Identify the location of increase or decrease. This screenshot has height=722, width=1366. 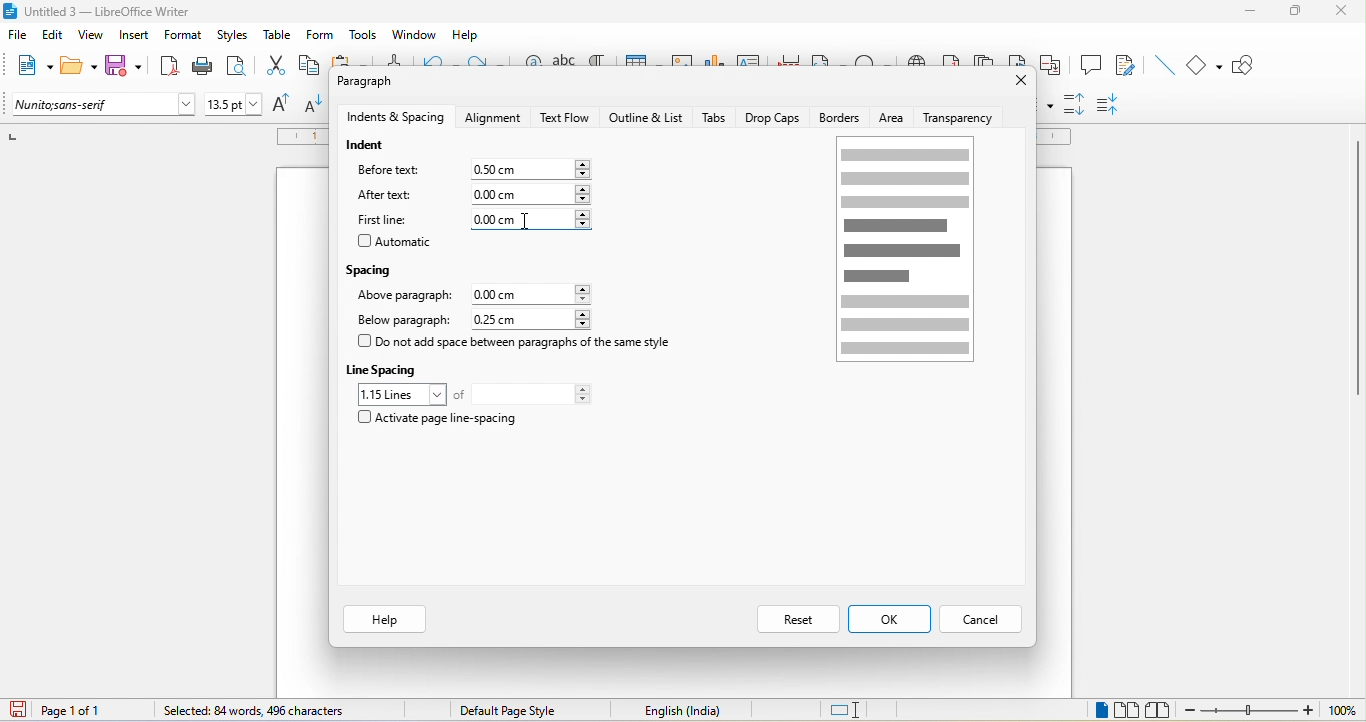
(581, 295).